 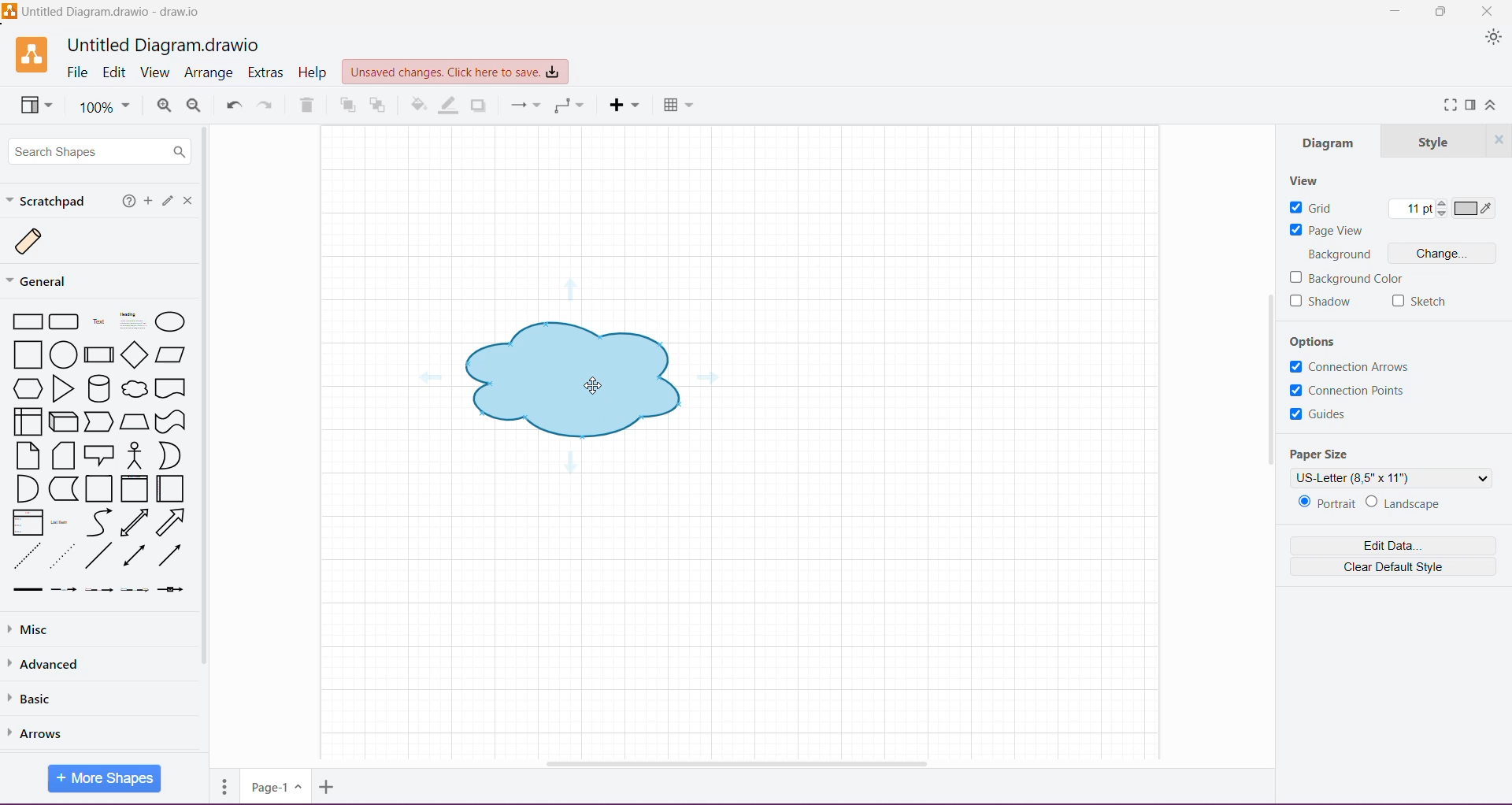 What do you see at coordinates (1339, 255) in the screenshot?
I see `Background` at bounding box center [1339, 255].